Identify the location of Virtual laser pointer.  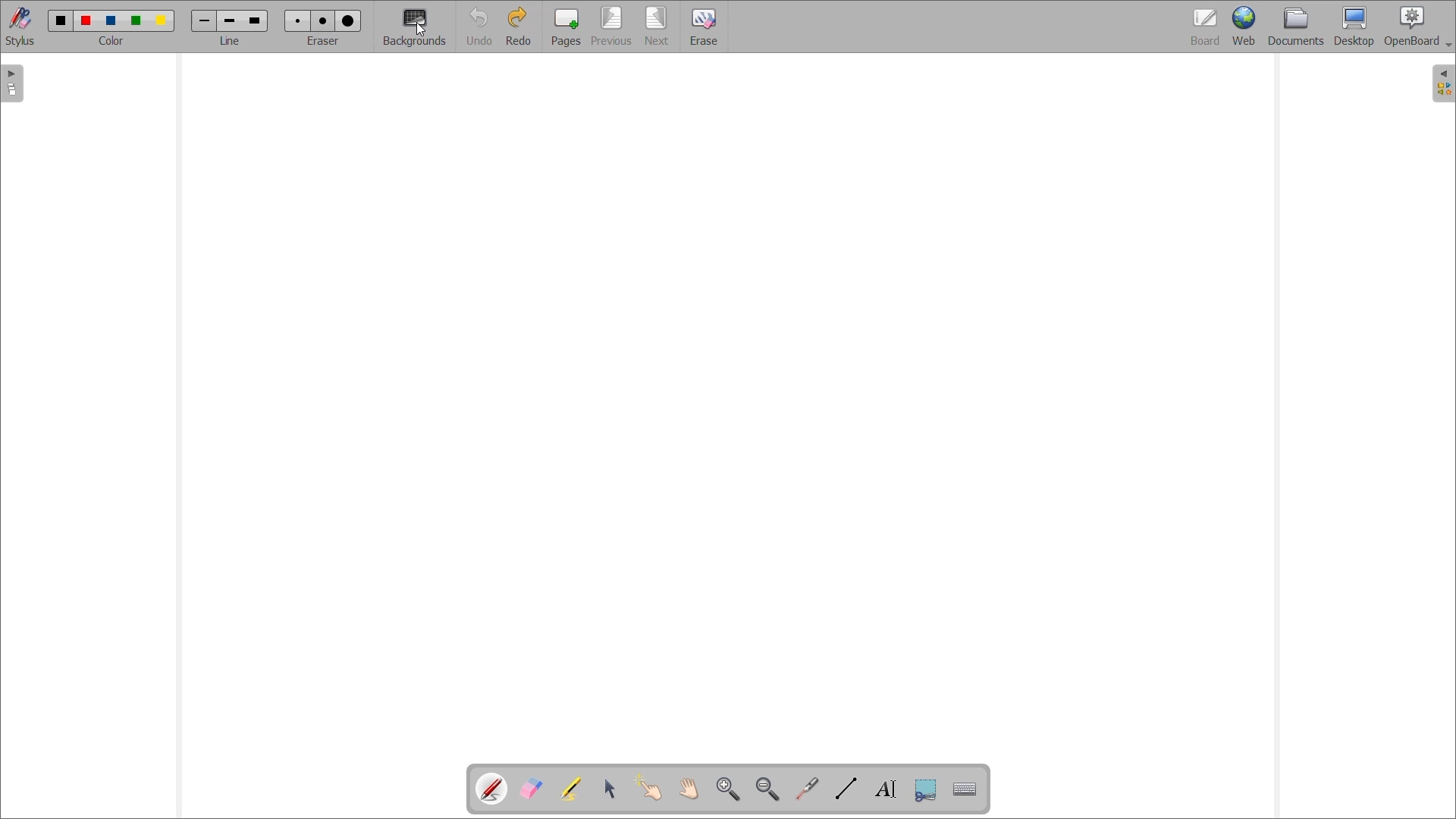
(807, 789).